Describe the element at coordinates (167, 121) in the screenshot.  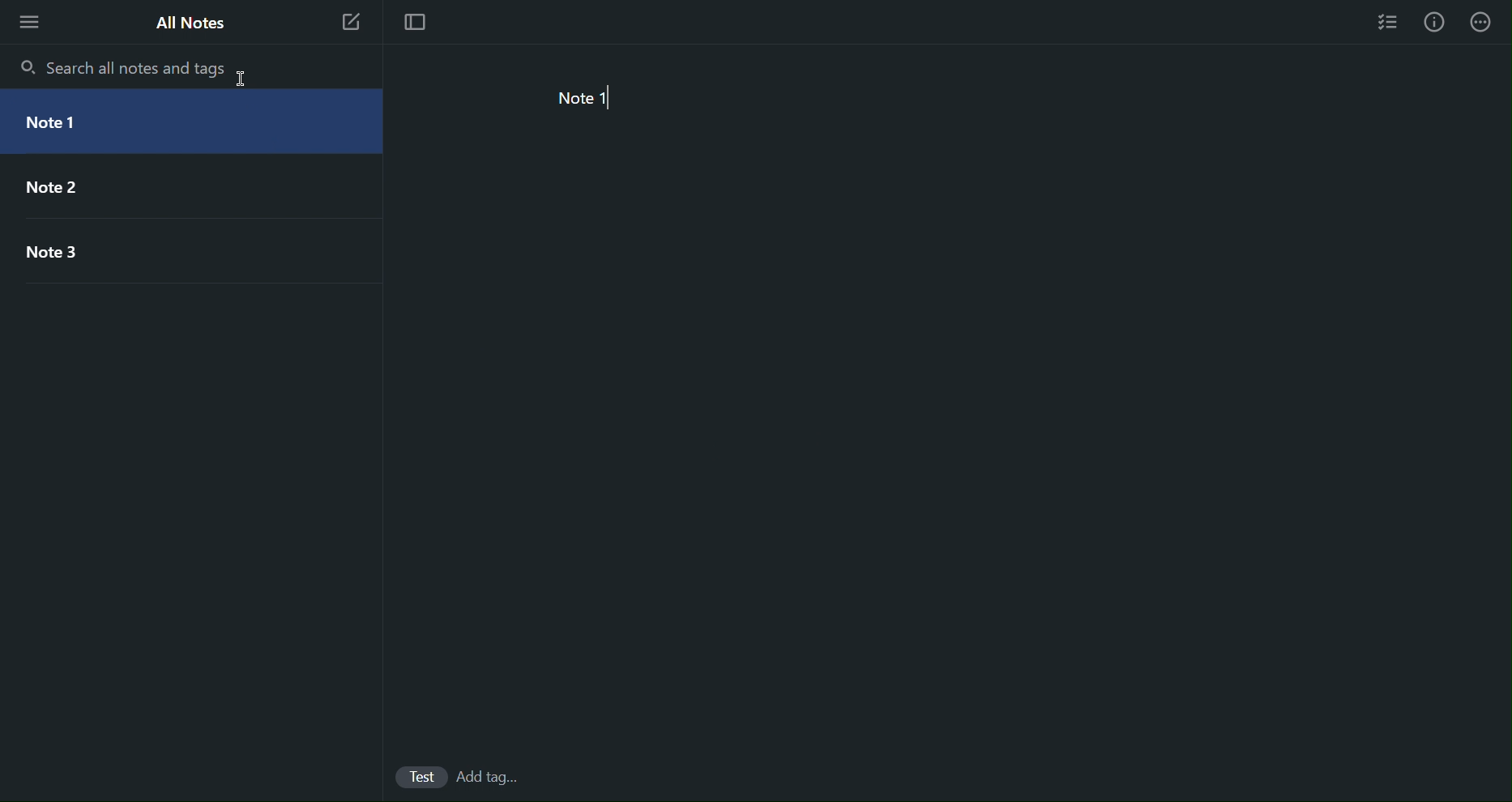
I see `Note 1` at that location.